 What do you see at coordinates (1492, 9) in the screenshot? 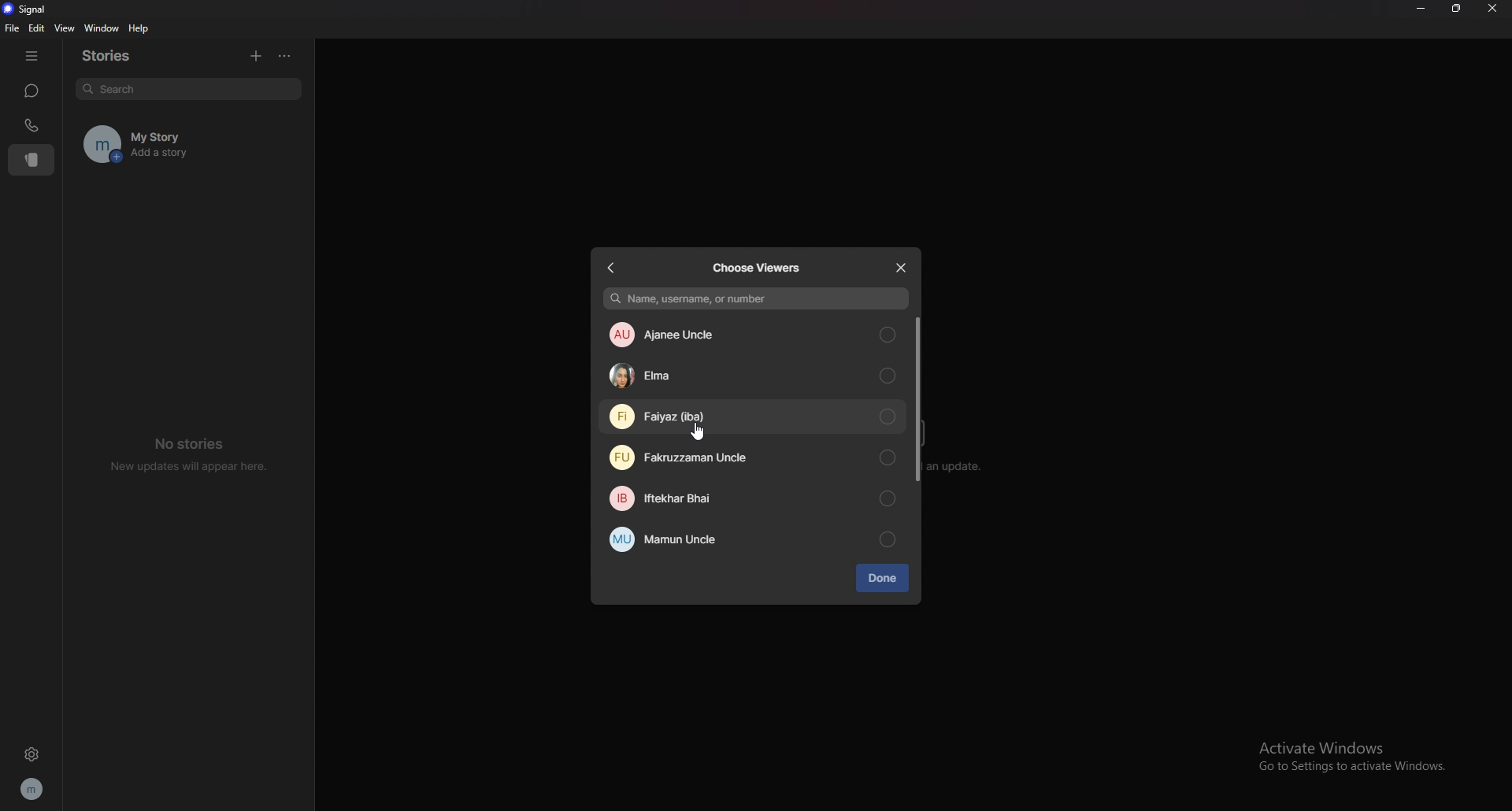
I see `close` at bounding box center [1492, 9].